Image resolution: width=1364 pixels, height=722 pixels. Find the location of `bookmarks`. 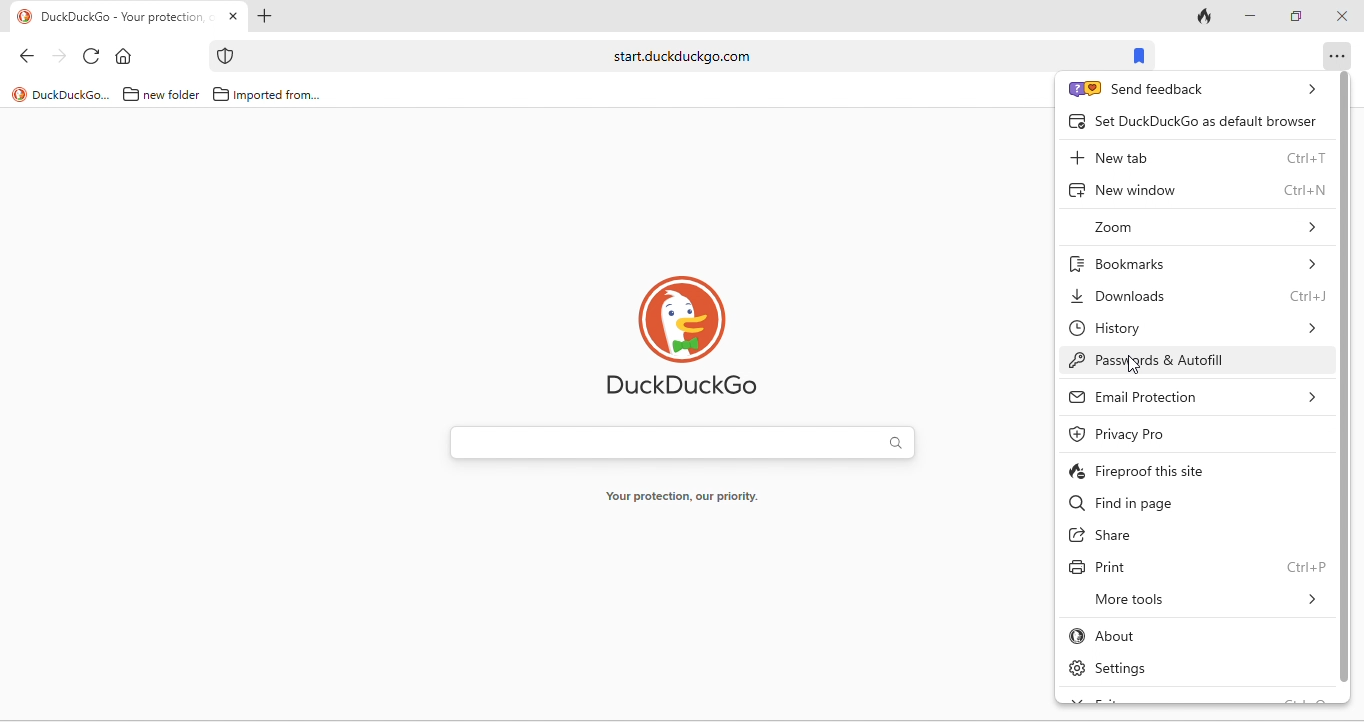

bookmarks is located at coordinates (1190, 267).